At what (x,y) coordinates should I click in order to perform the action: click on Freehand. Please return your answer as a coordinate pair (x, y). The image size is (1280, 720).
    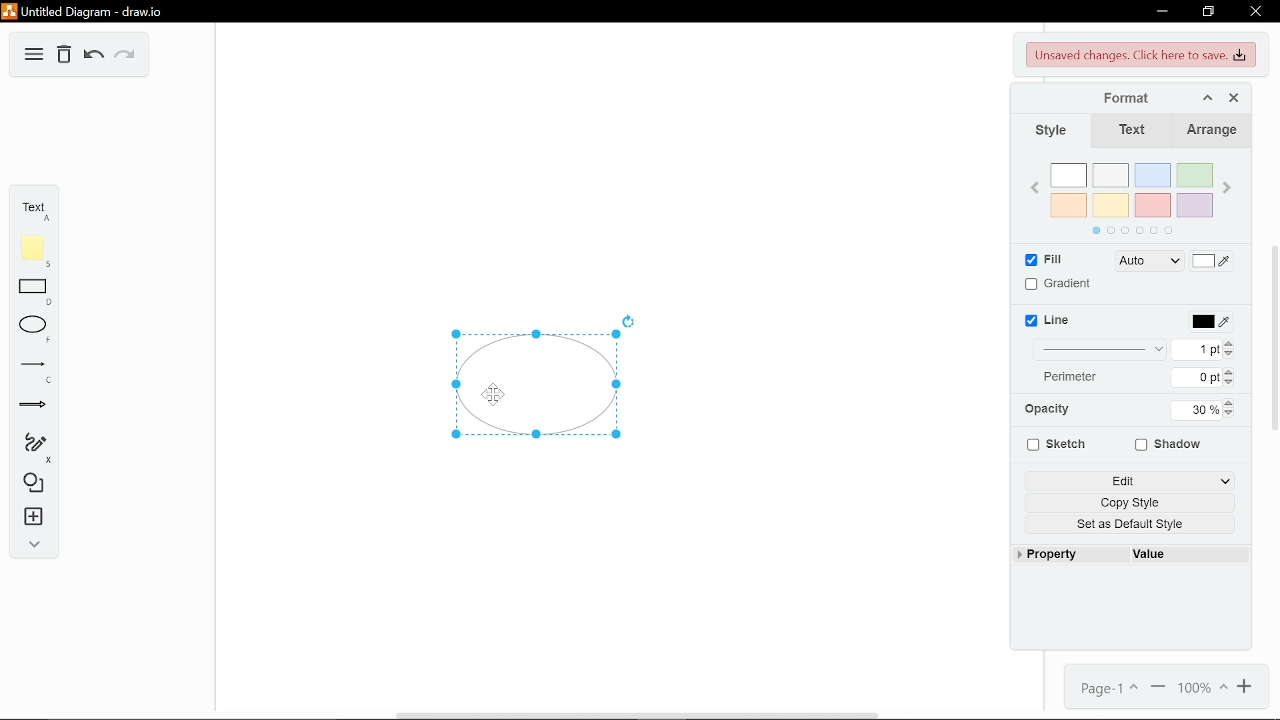
    Looking at the image, I should click on (33, 445).